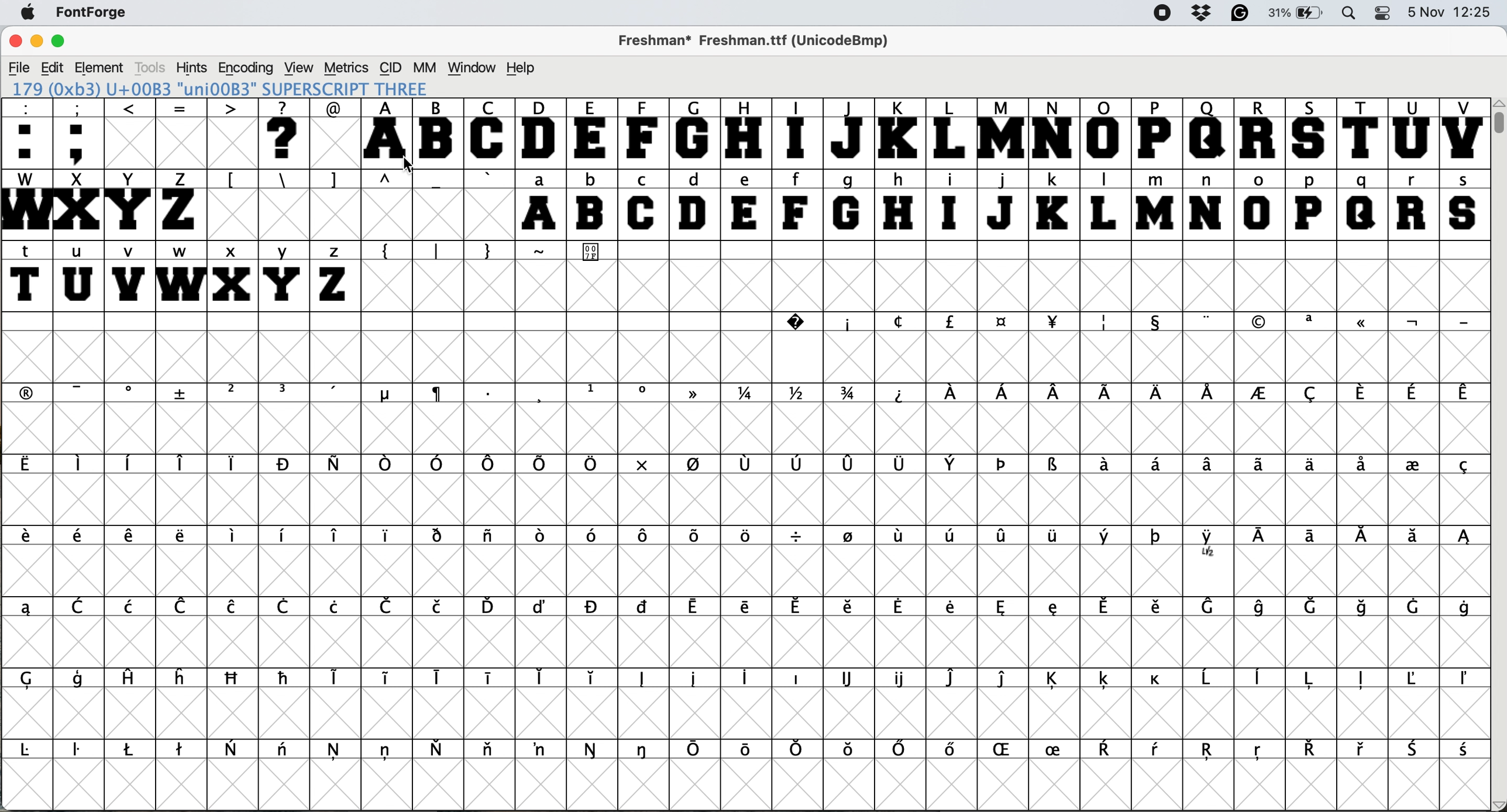  Describe the element at coordinates (301, 67) in the screenshot. I see `view` at that location.